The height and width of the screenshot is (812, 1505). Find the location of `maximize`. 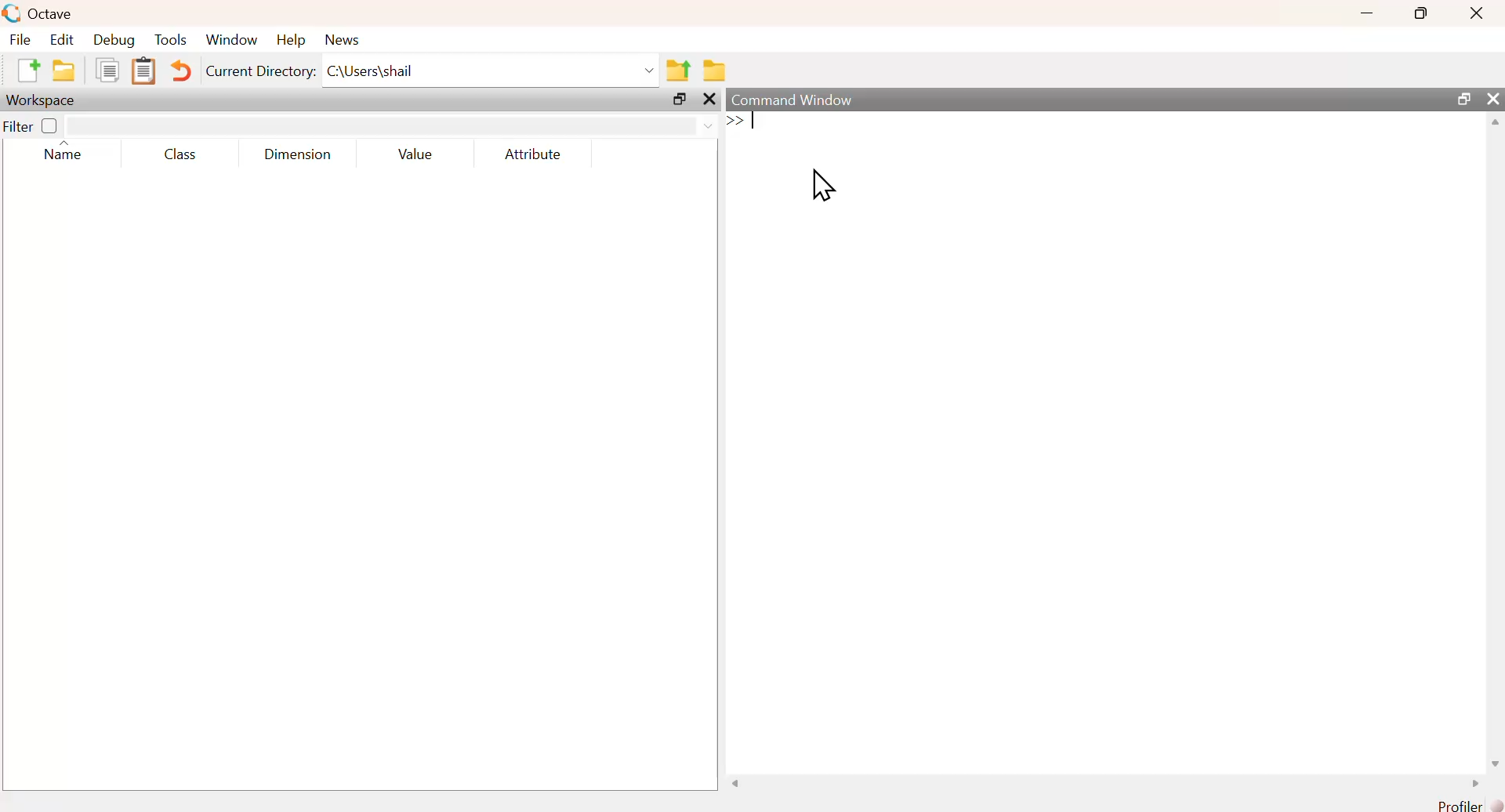

maximize is located at coordinates (1463, 97).